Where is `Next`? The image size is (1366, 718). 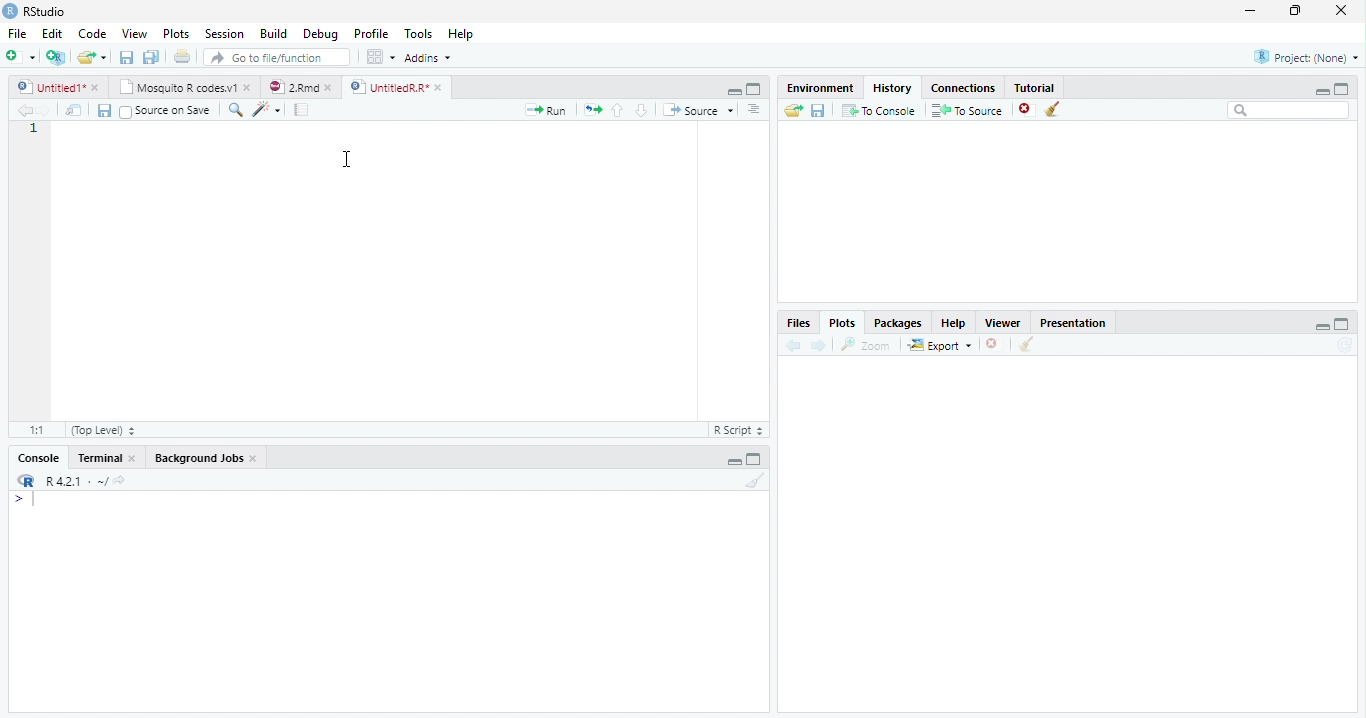
Next is located at coordinates (45, 110).